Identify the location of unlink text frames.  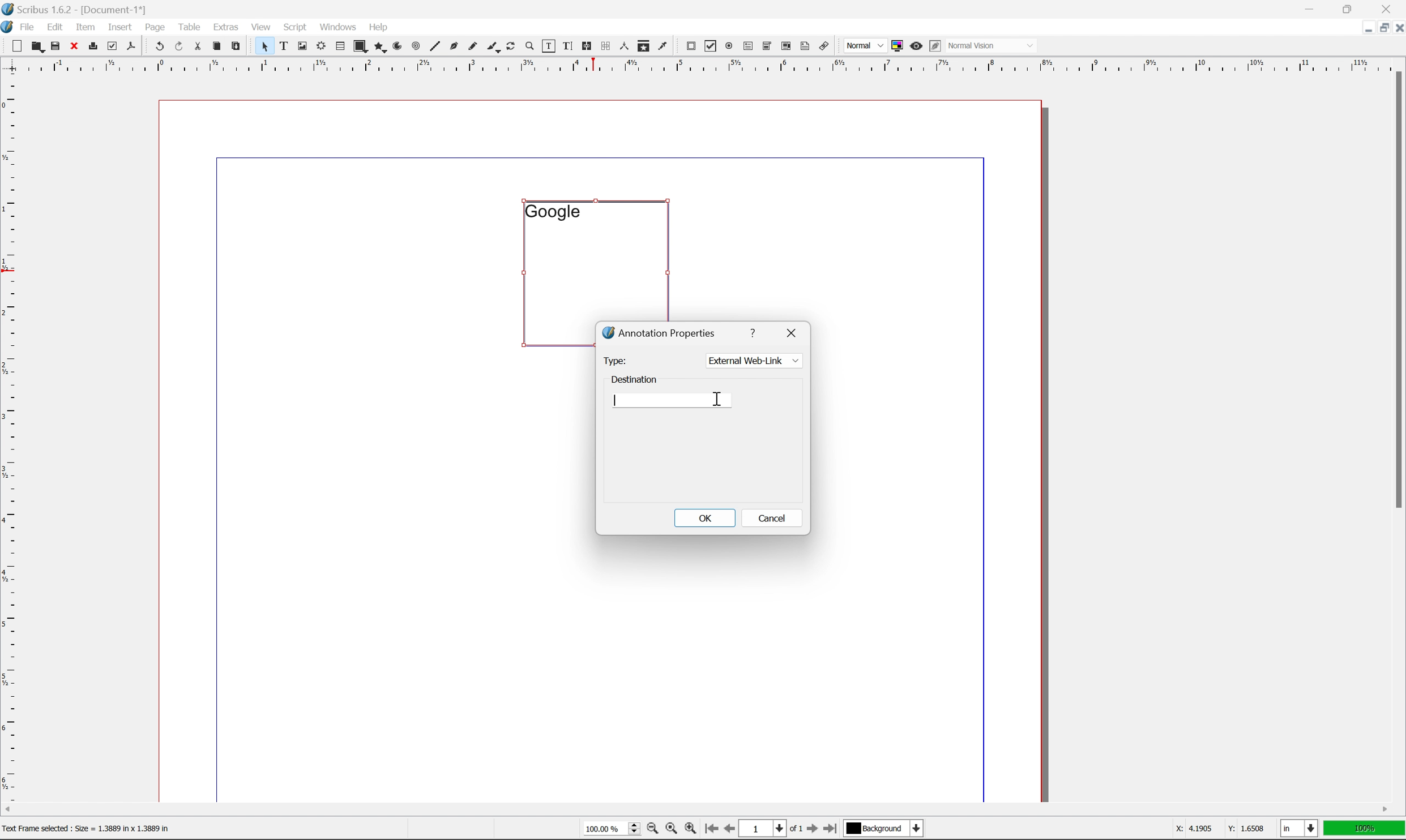
(604, 46).